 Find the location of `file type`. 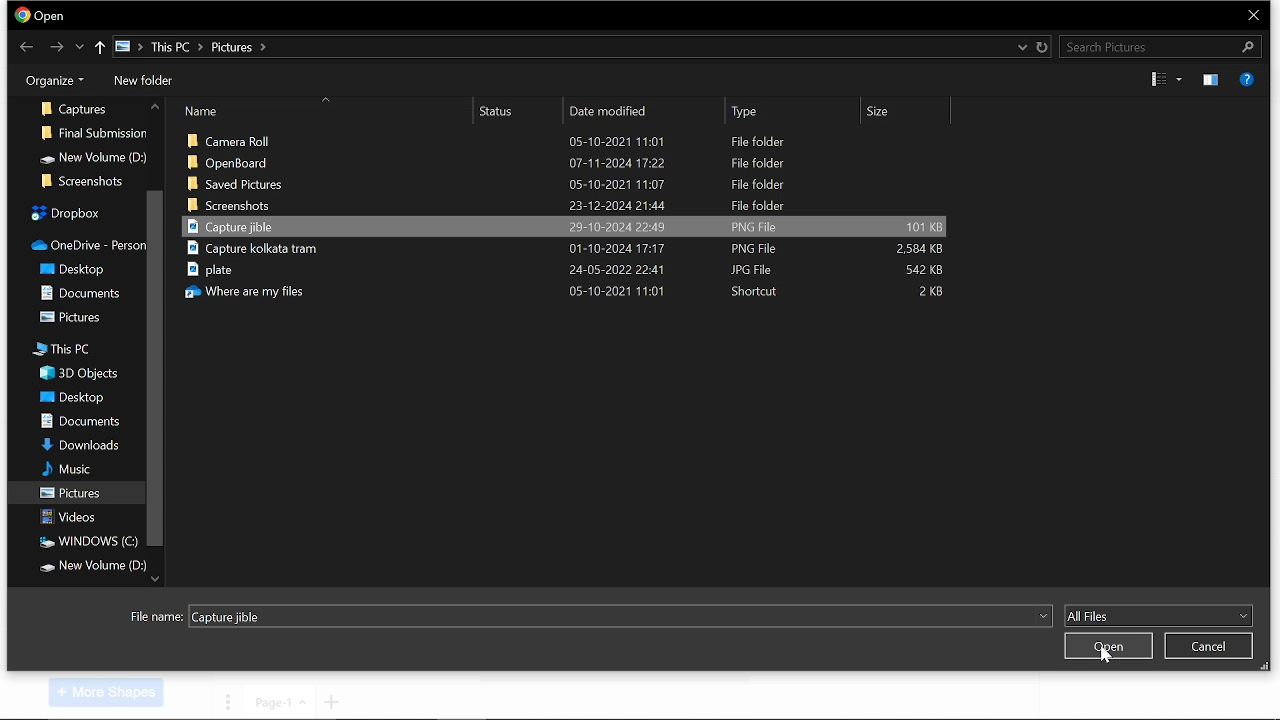

file type is located at coordinates (1158, 616).